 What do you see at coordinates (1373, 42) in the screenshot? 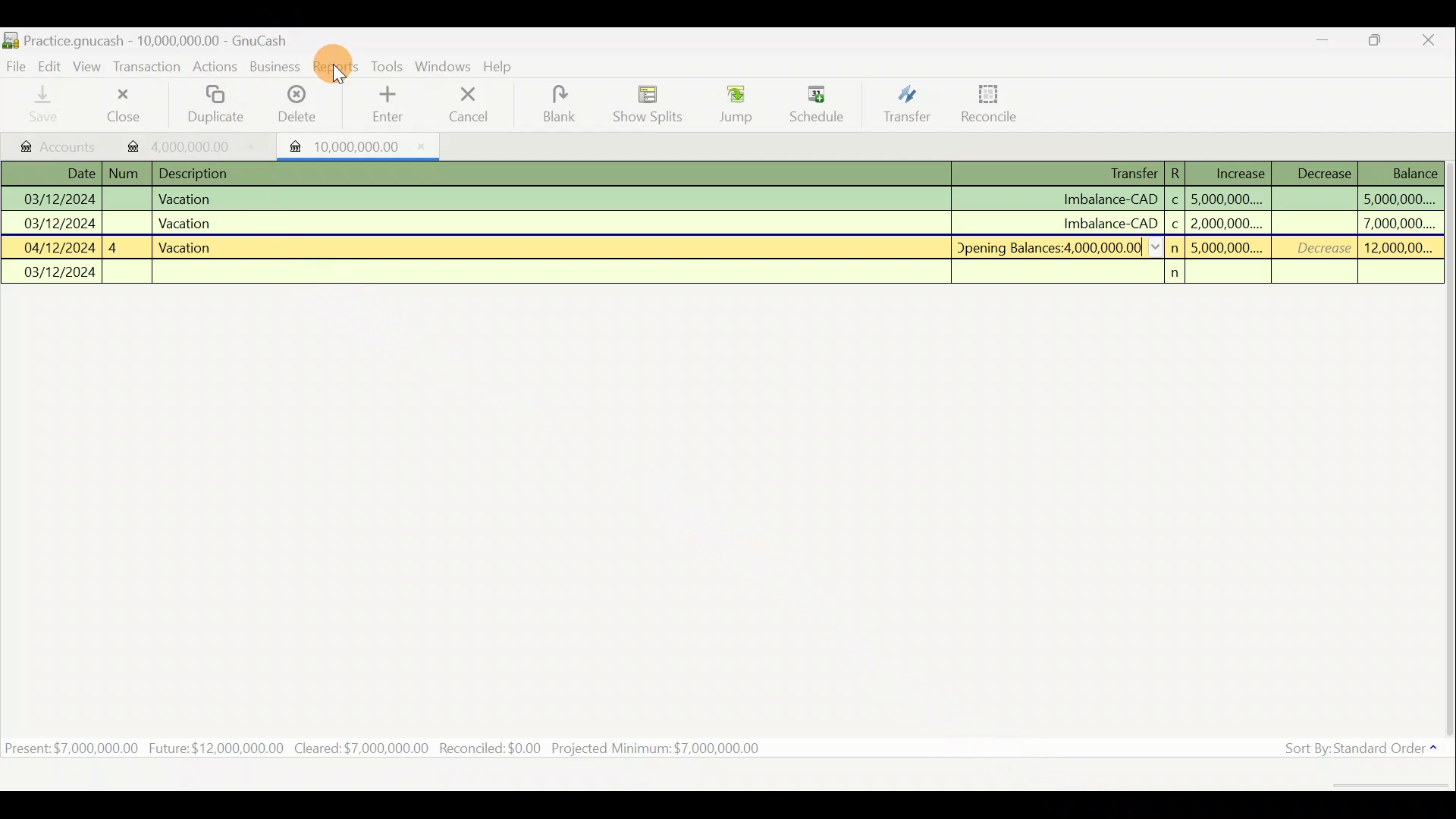
I see `Maximize` at bounding box center [1373, 42].